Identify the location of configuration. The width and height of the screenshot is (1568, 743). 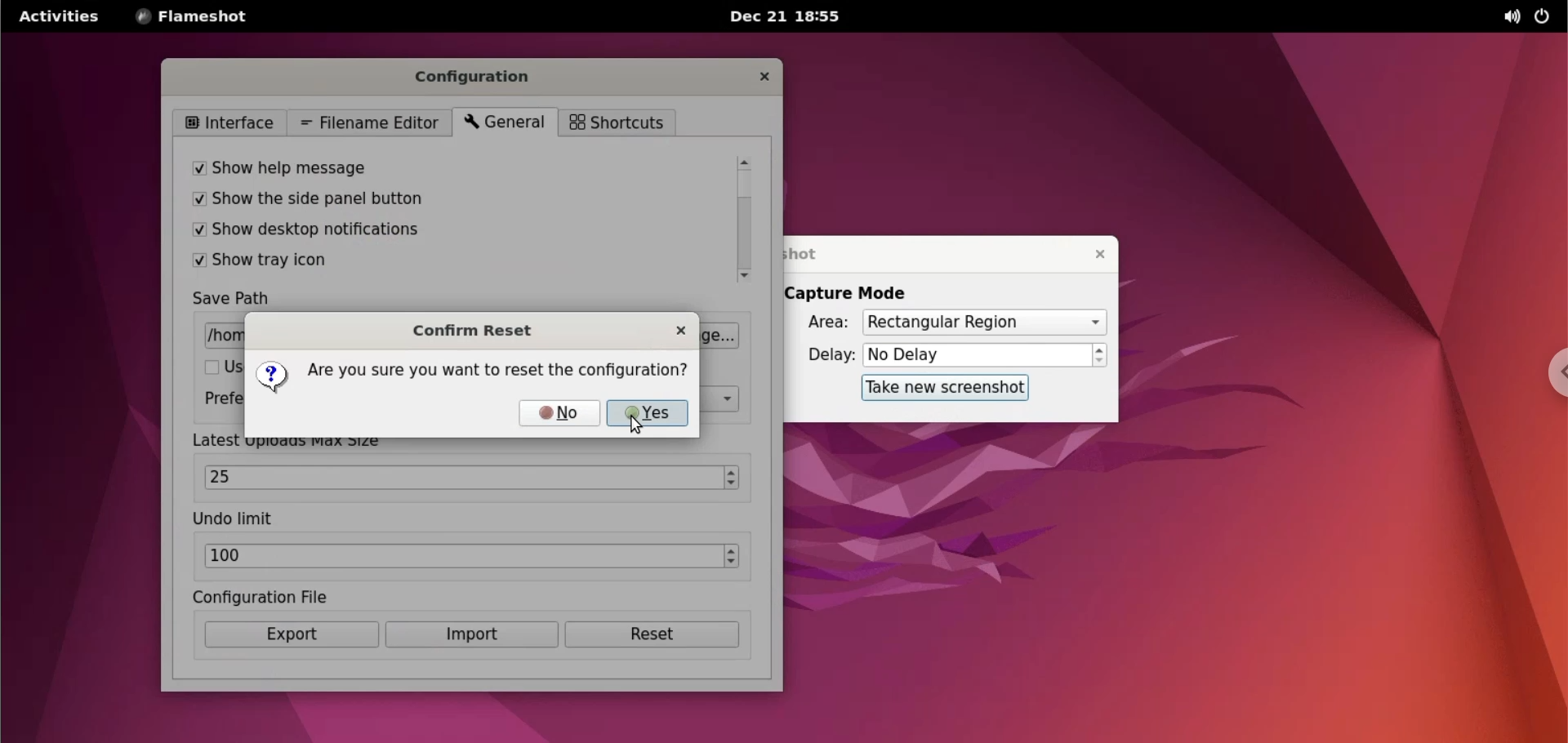
(481, 77).